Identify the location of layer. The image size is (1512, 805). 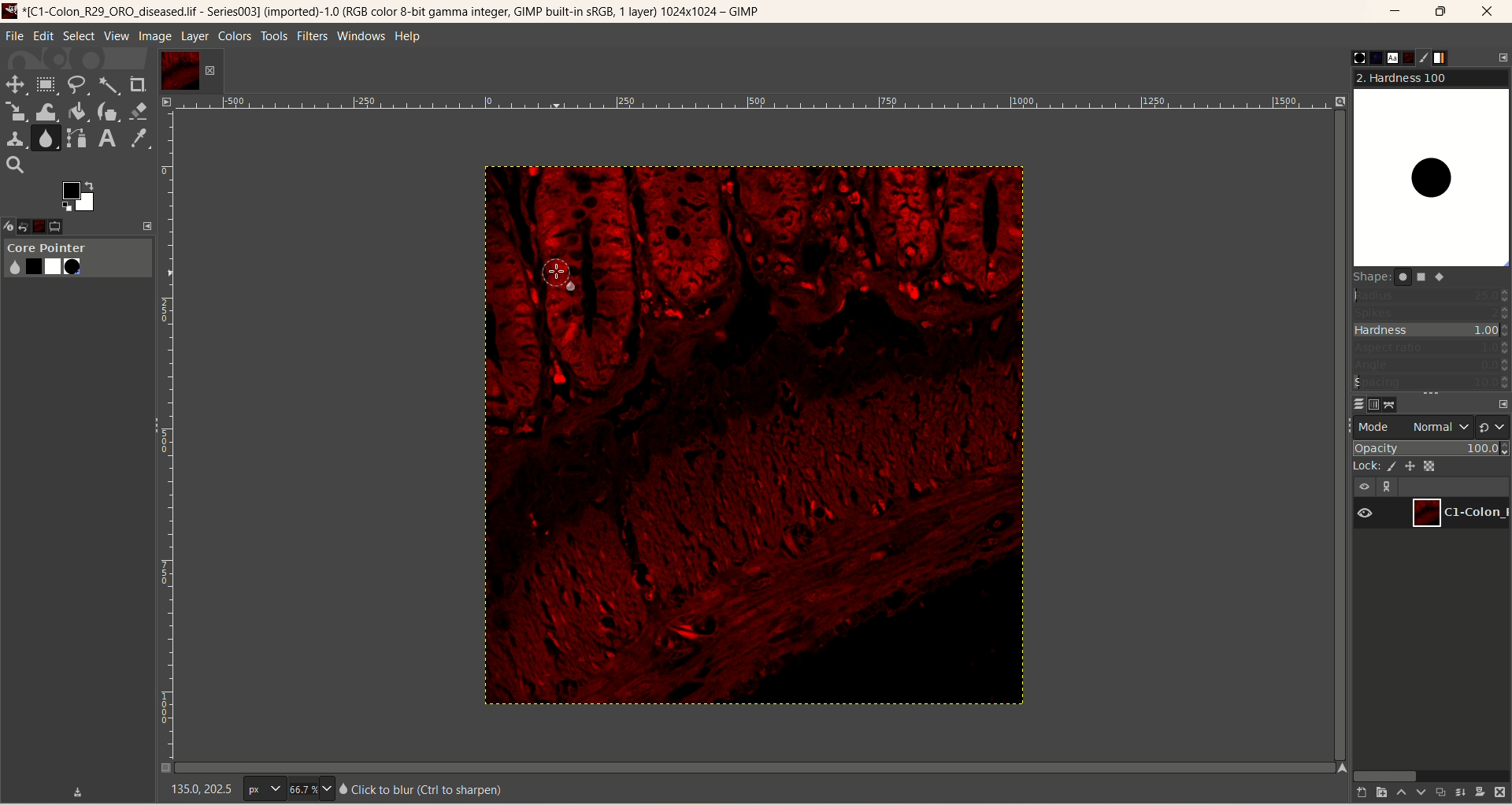
(194, 36).